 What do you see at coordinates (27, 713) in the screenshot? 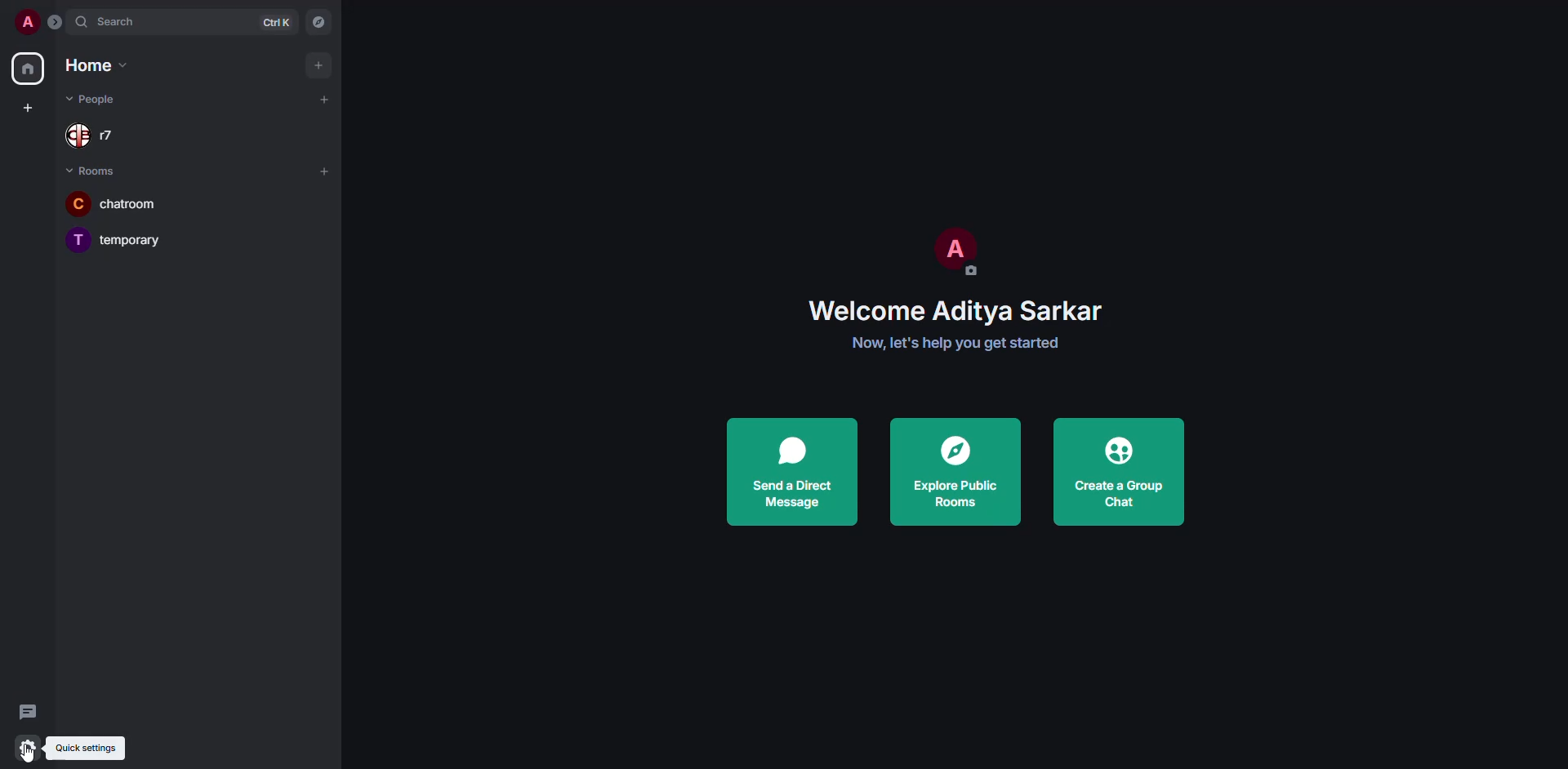
I see `threads` at bounding box center [27, 713].